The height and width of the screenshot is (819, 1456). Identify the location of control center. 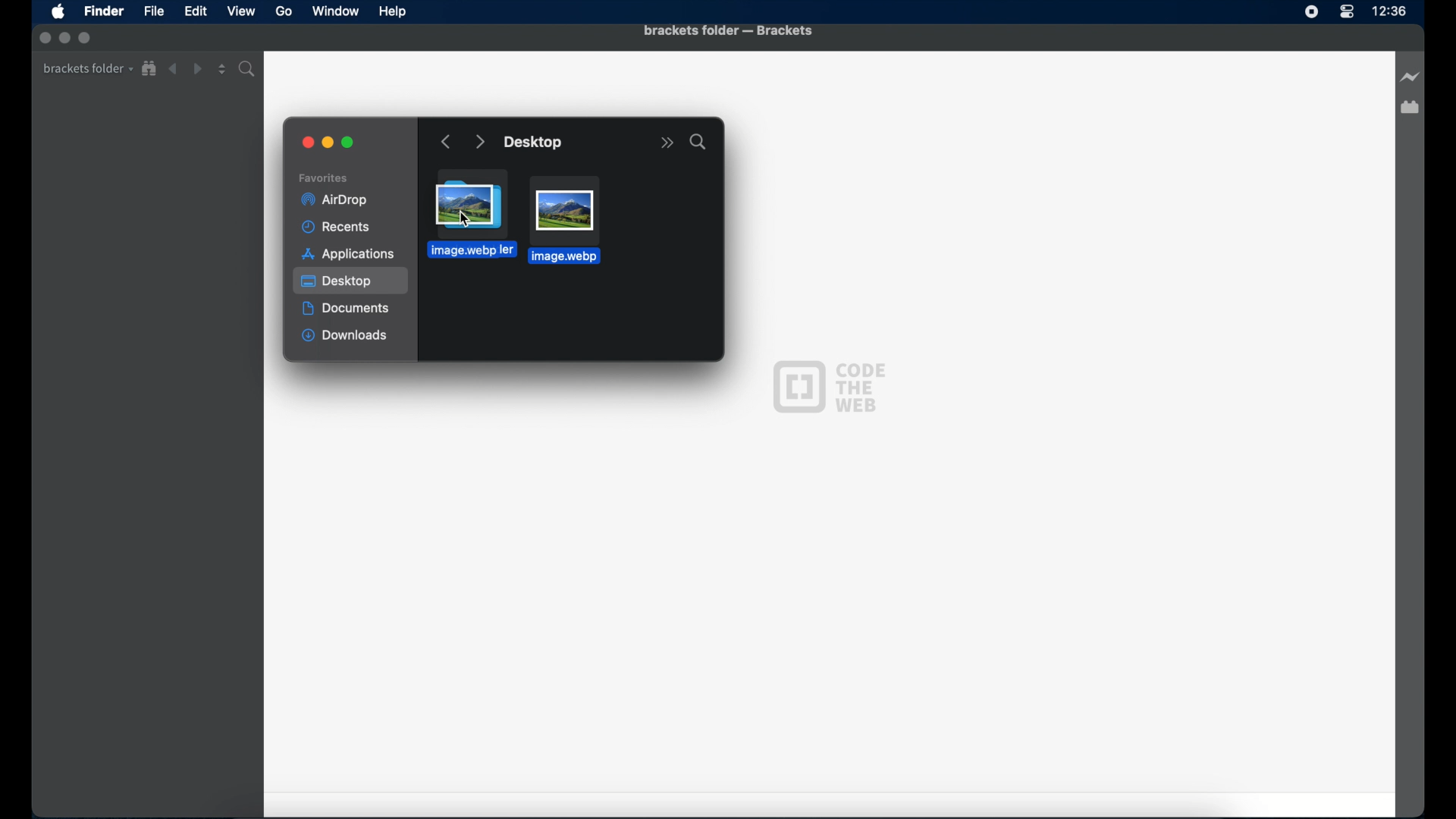
(1347, 12).